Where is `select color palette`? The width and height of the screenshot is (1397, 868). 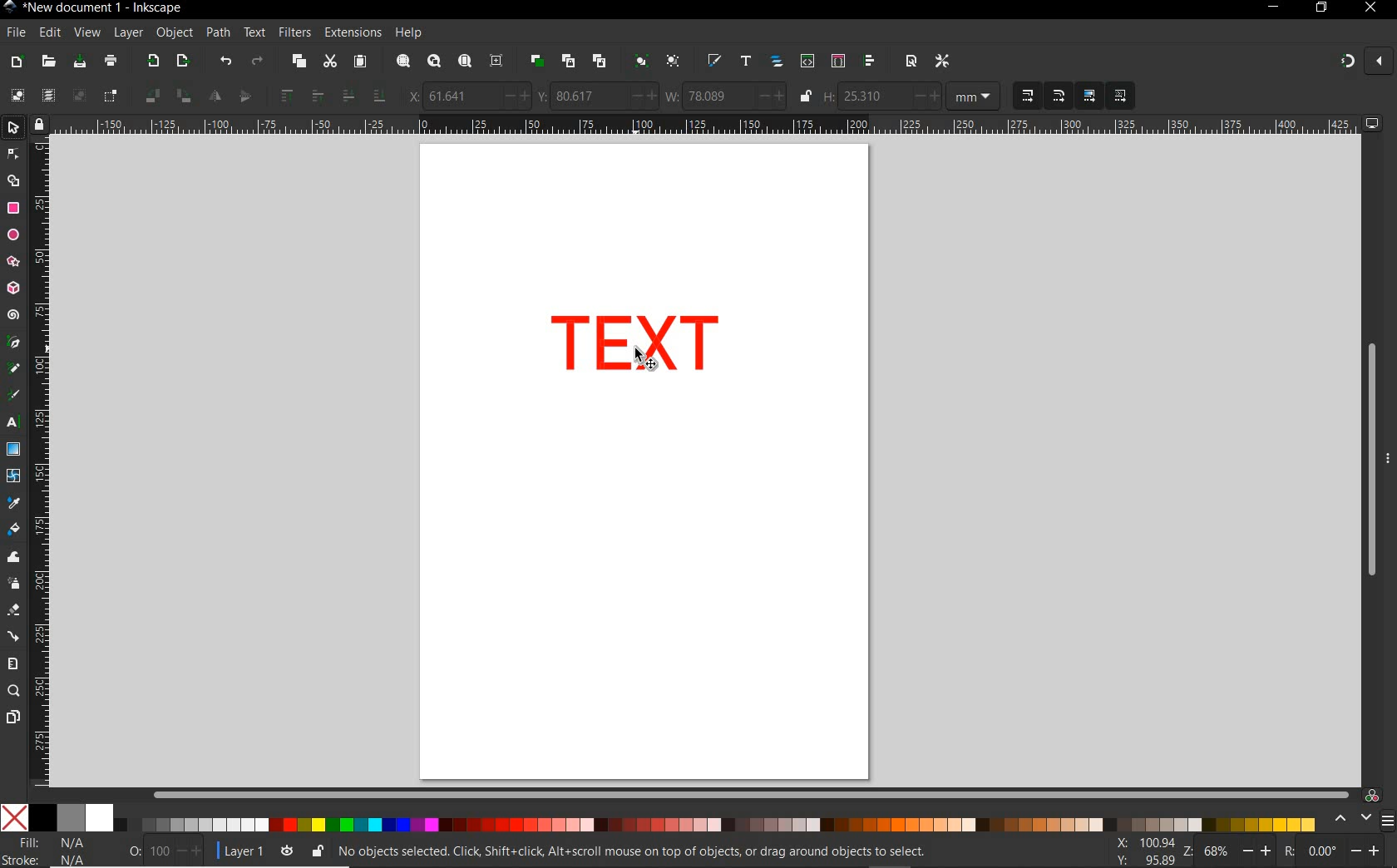 select color palette is located at coordinates (1361, 819).